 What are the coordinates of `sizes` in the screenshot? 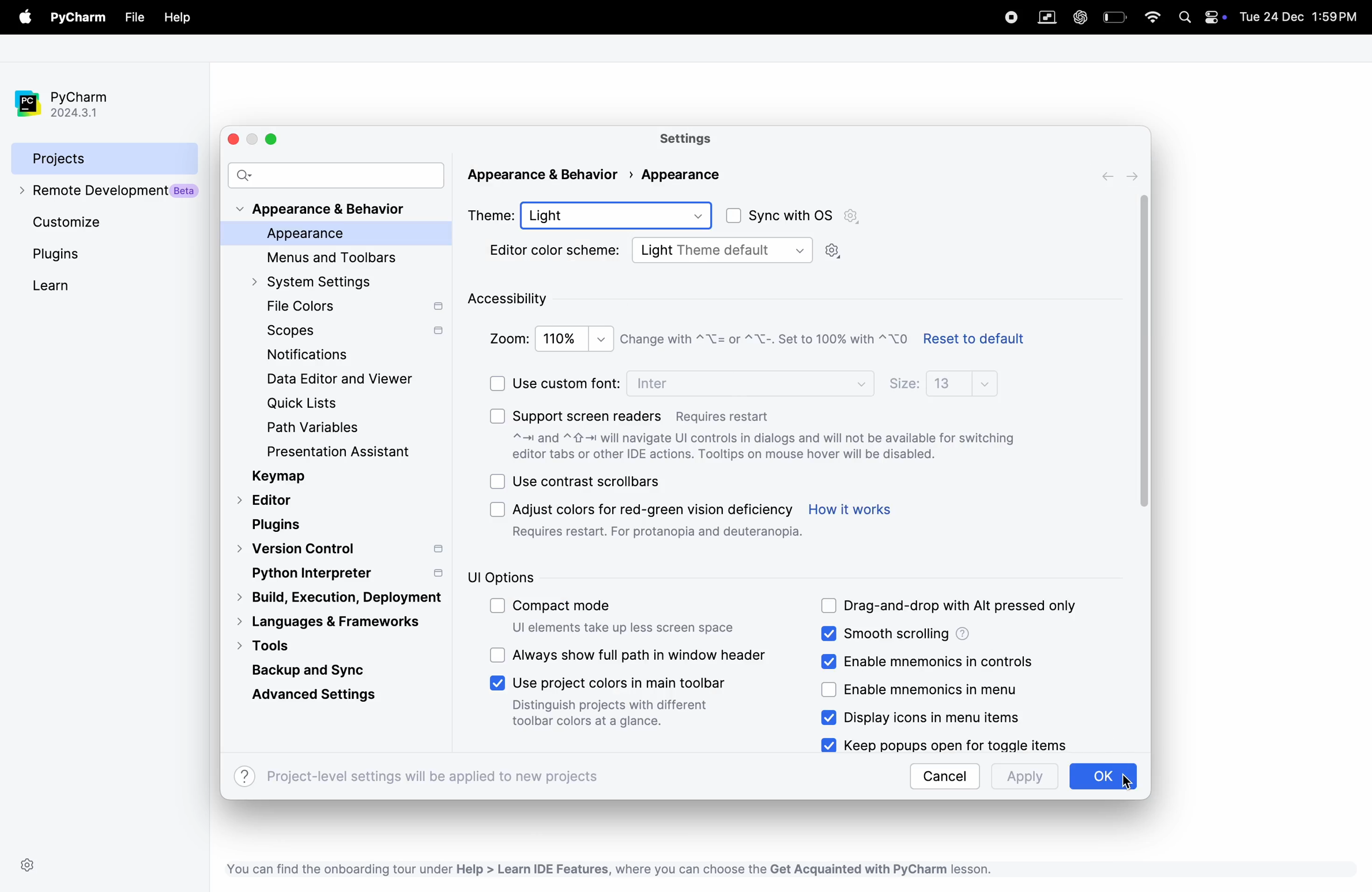 It's located at (903, 385).